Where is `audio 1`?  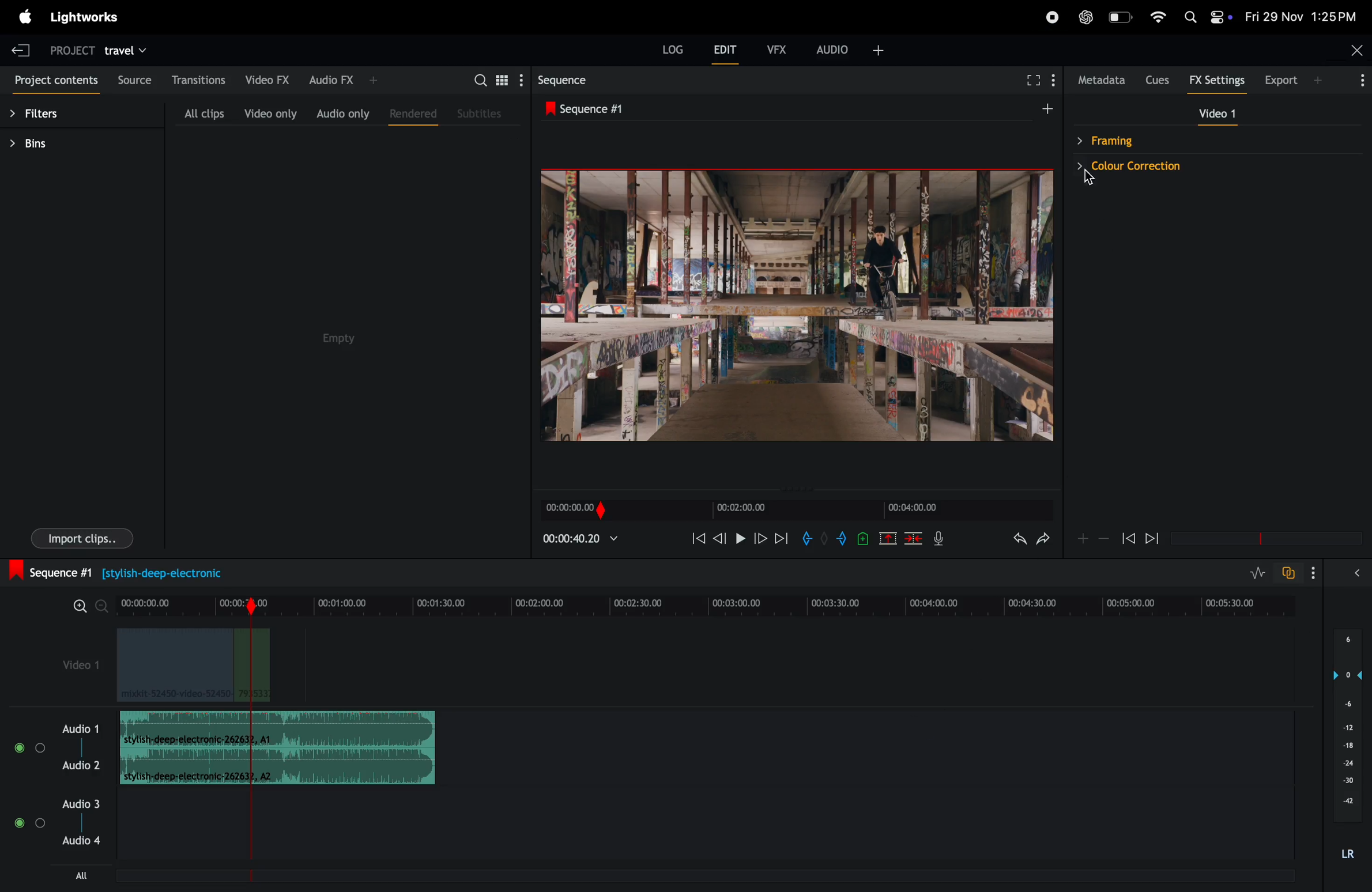
audio 1 is located at coordinates (78, 728).